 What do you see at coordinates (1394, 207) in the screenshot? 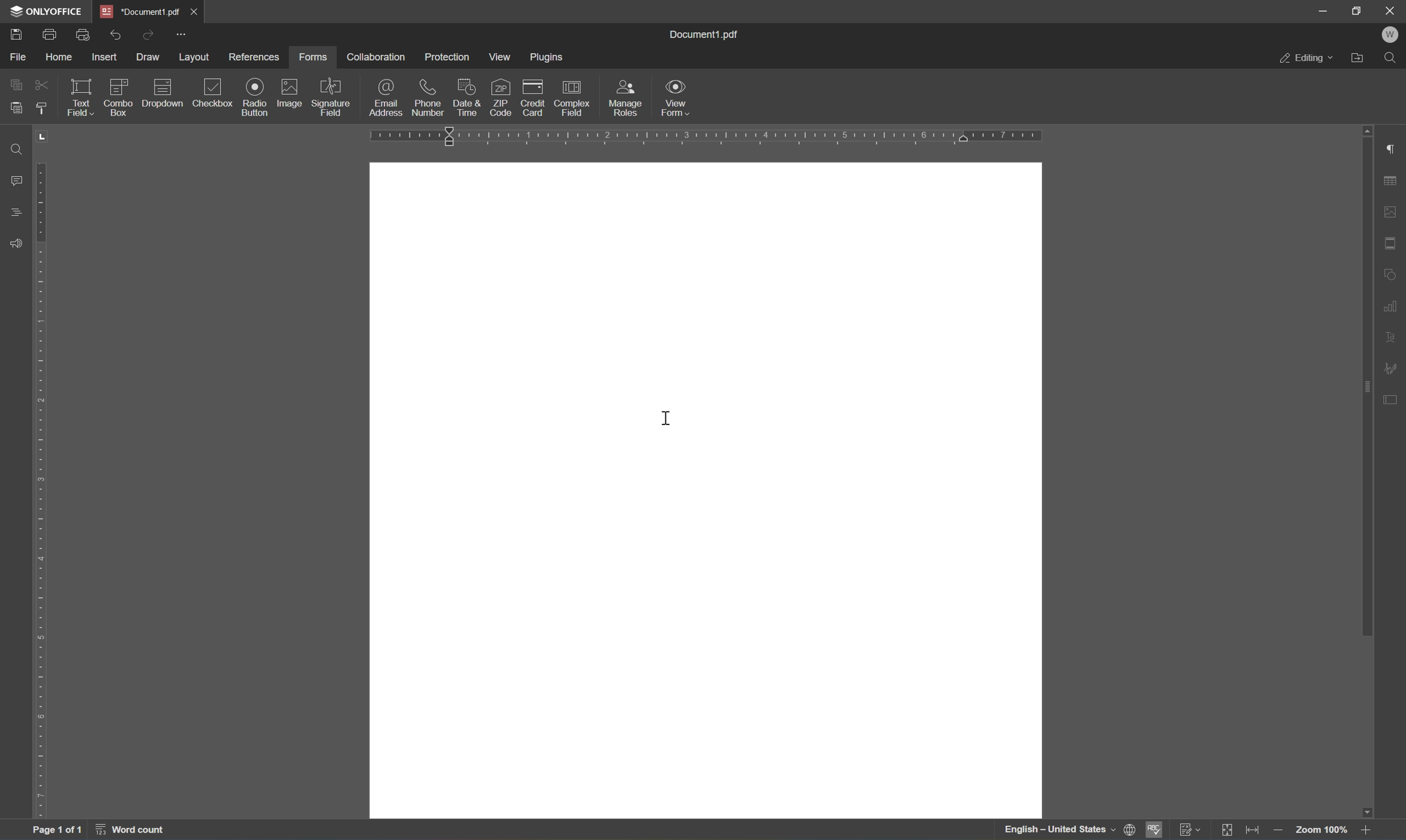
I see `image settings` at bounding box center [1394, 207].